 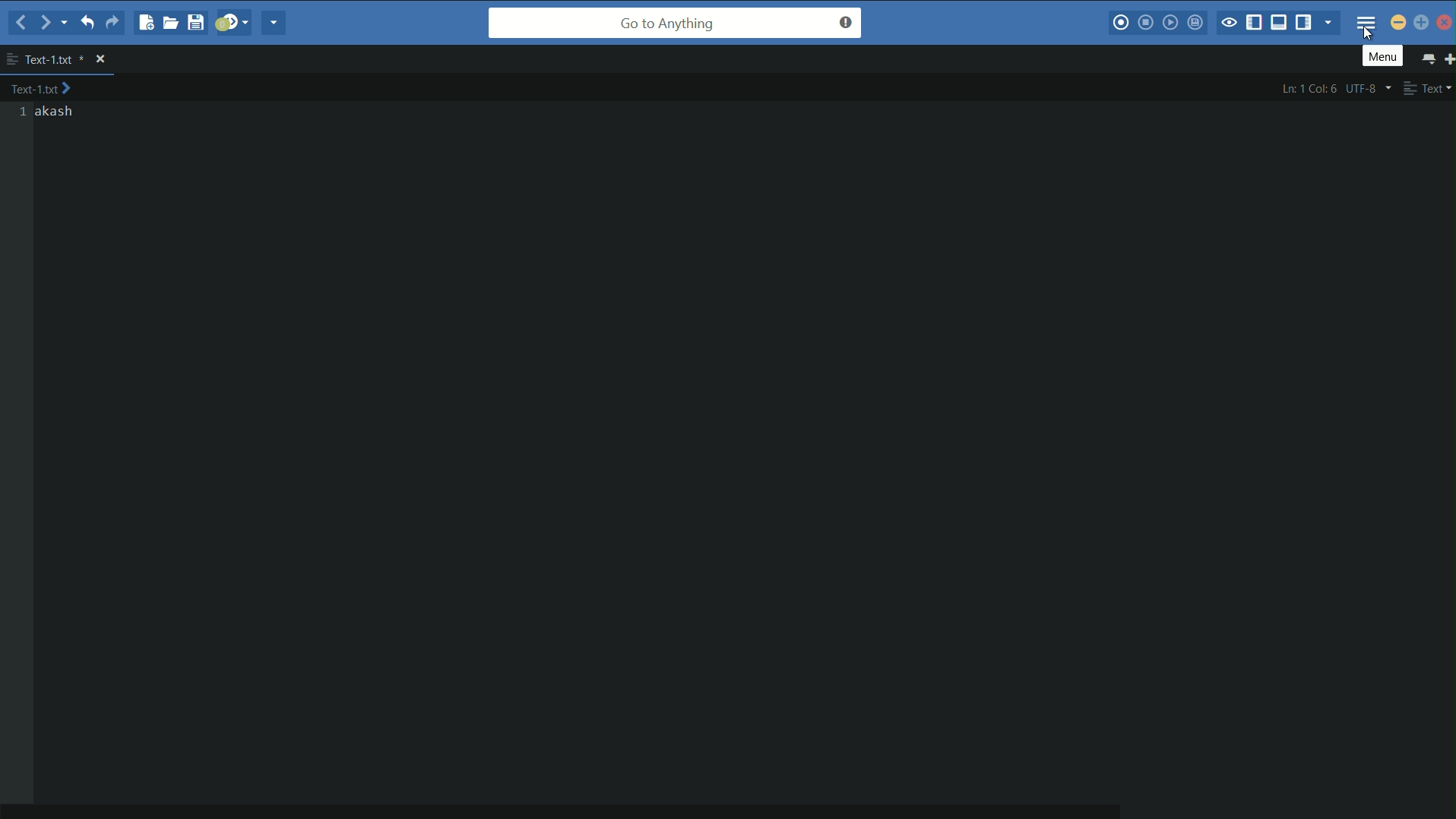 What do you see at coordinates (1282, 21) in the screenshot?
I see `show/hide bottom panel` at bounding box center [1282, 21].